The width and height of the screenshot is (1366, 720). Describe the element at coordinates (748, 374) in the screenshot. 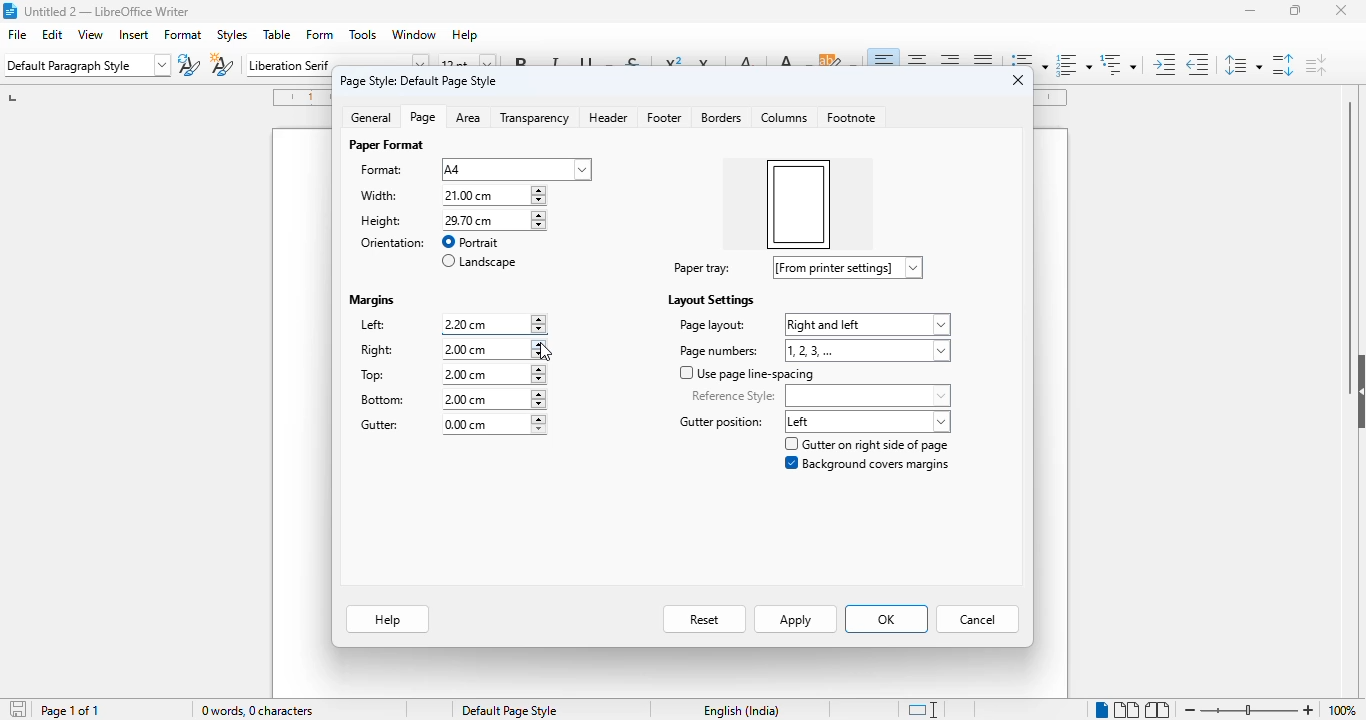

I see `use page line-spacing` at that location.